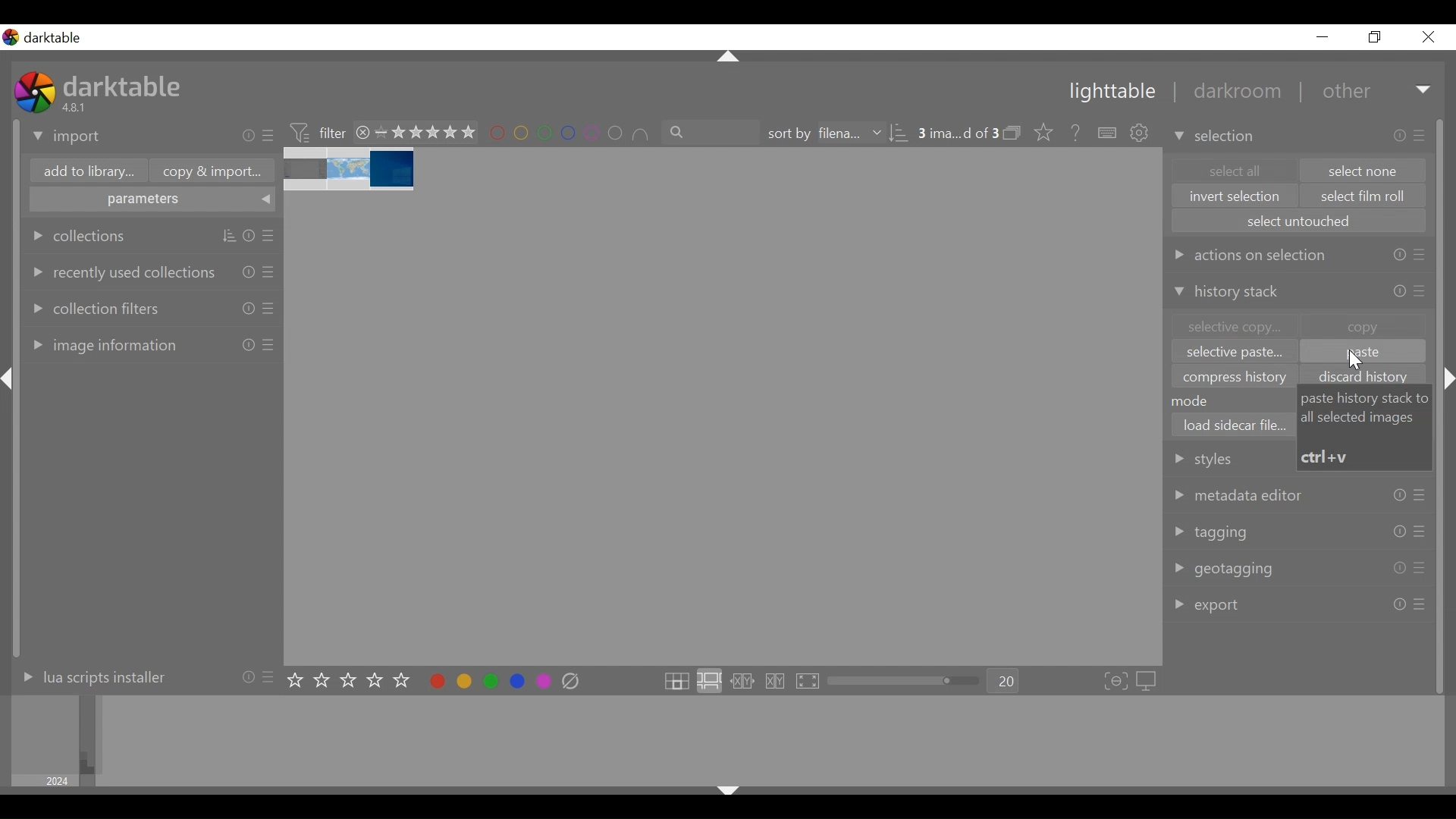  What do you see at coordinates (1235, 196) in the screenshot?
I see `invert selection` at bounding box center [1235, 196].